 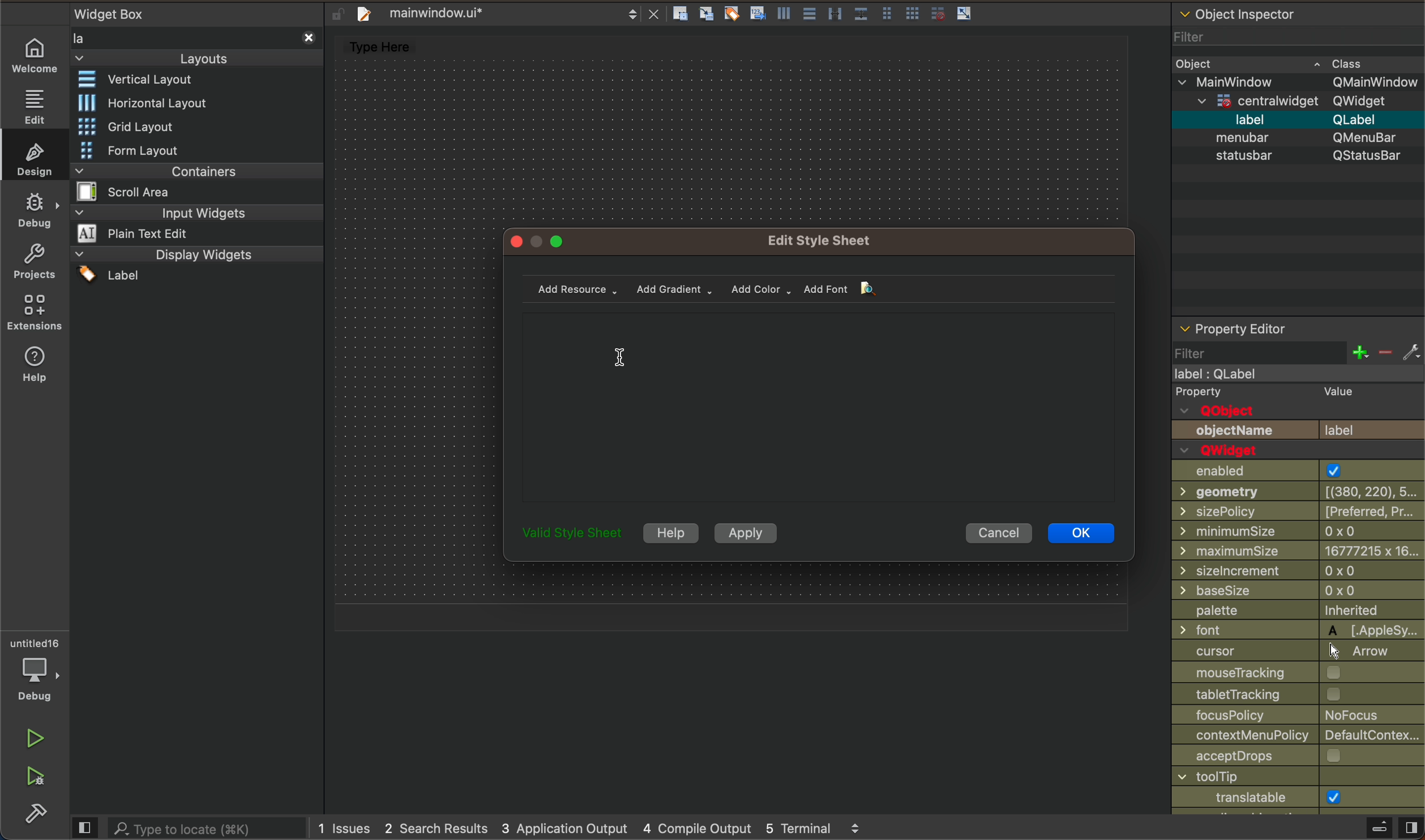 What do you see at coordinates (574, 536) in the screenshot?
I see `` at bounding box center [574, 536].